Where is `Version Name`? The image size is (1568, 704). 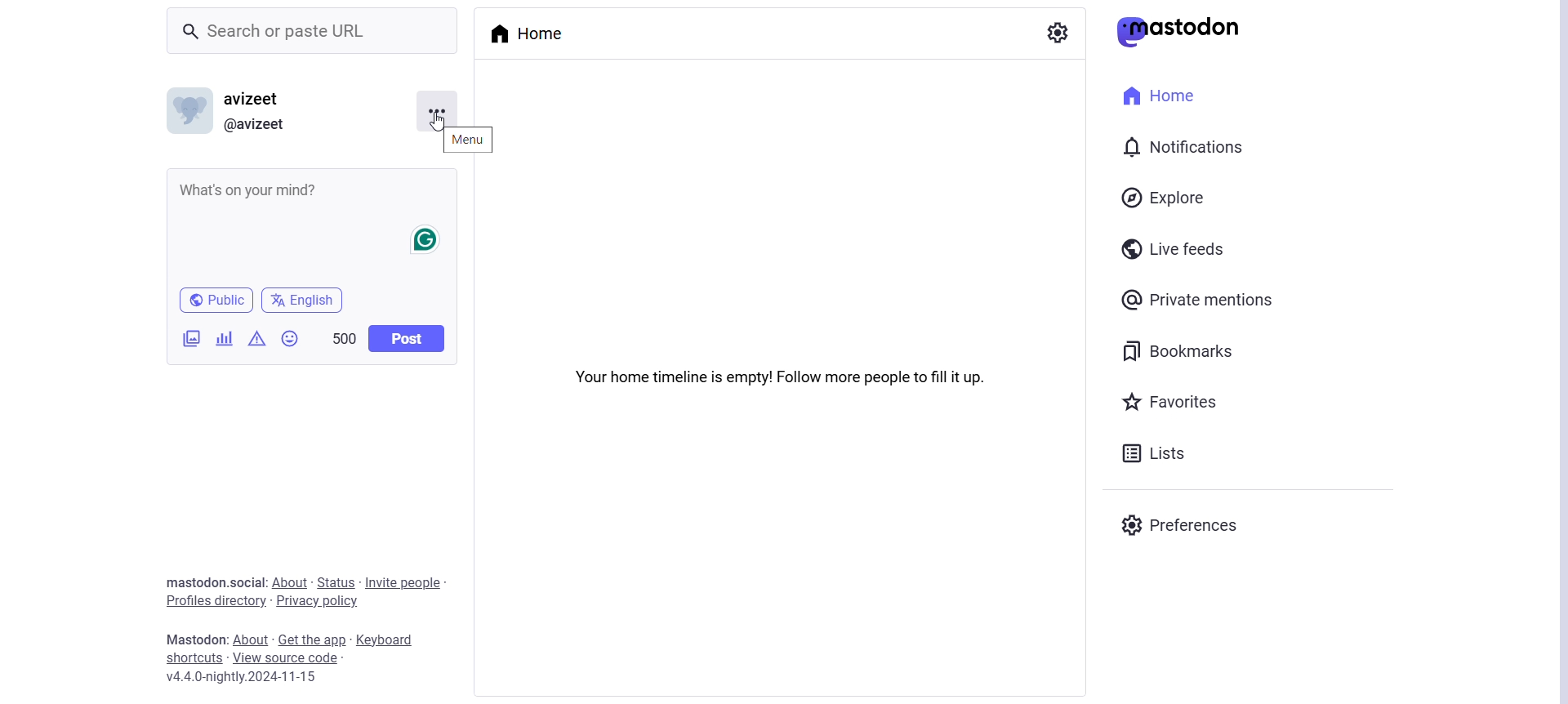 Version Name is located at coordinates (246, 676).